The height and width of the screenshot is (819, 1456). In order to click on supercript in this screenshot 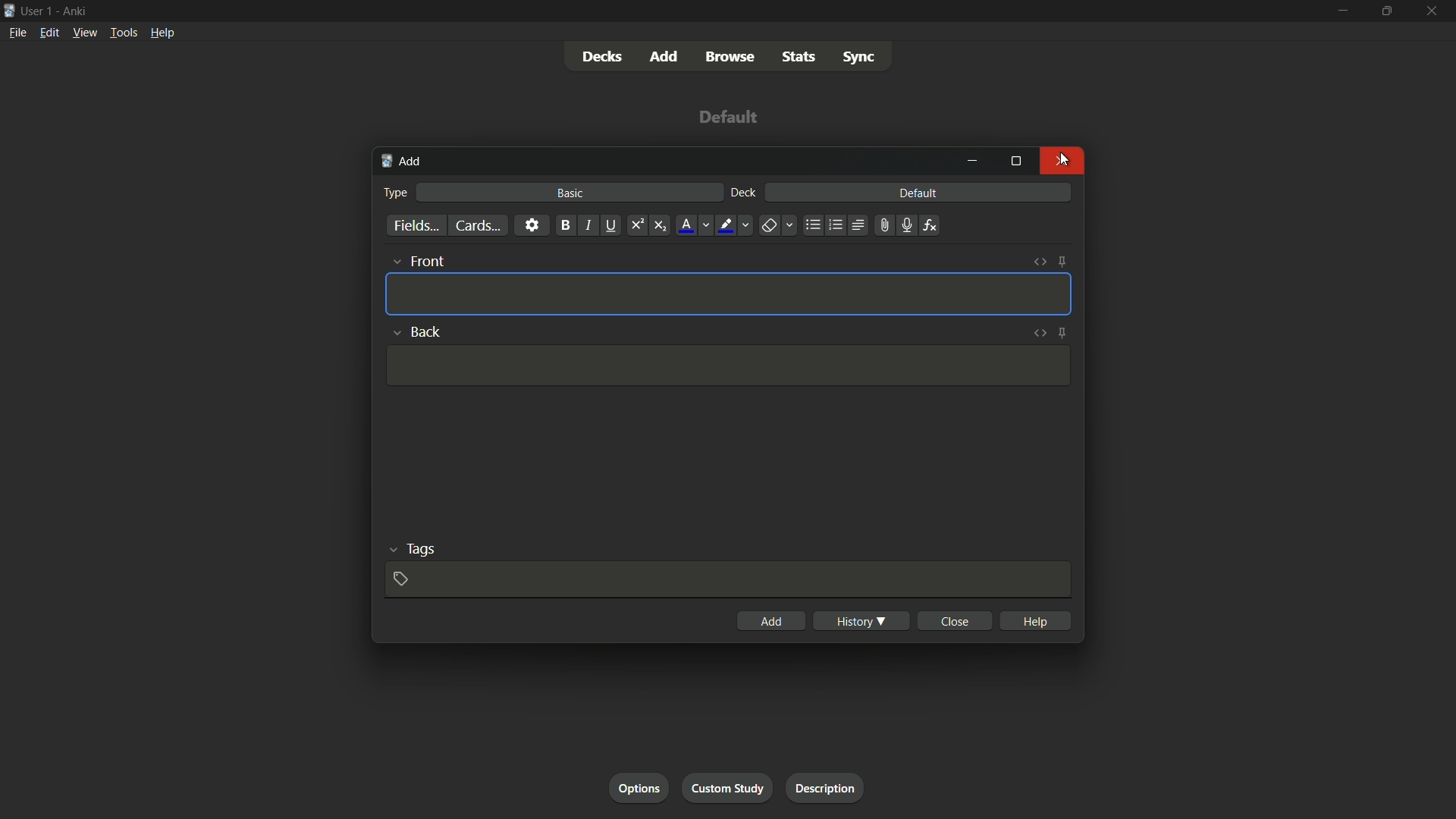, I will do `click(639, 225)`.